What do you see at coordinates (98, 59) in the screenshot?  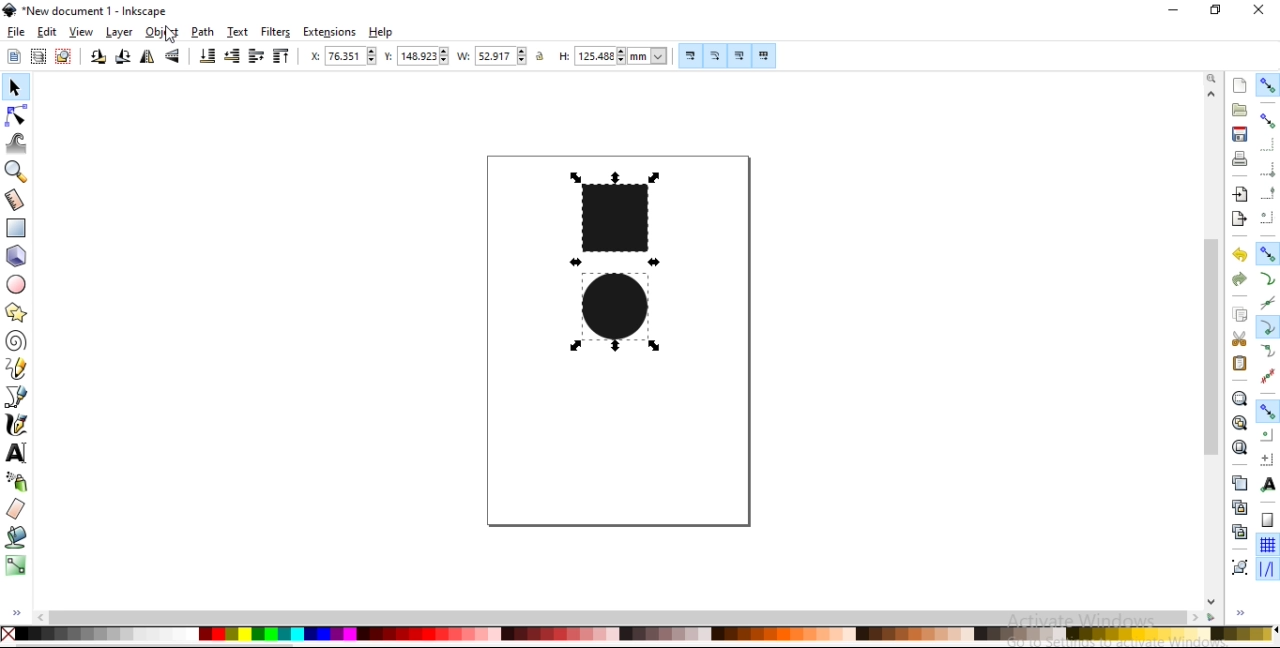 I see `rotate 90 counter clockwise` at bounding box center [98, 59].